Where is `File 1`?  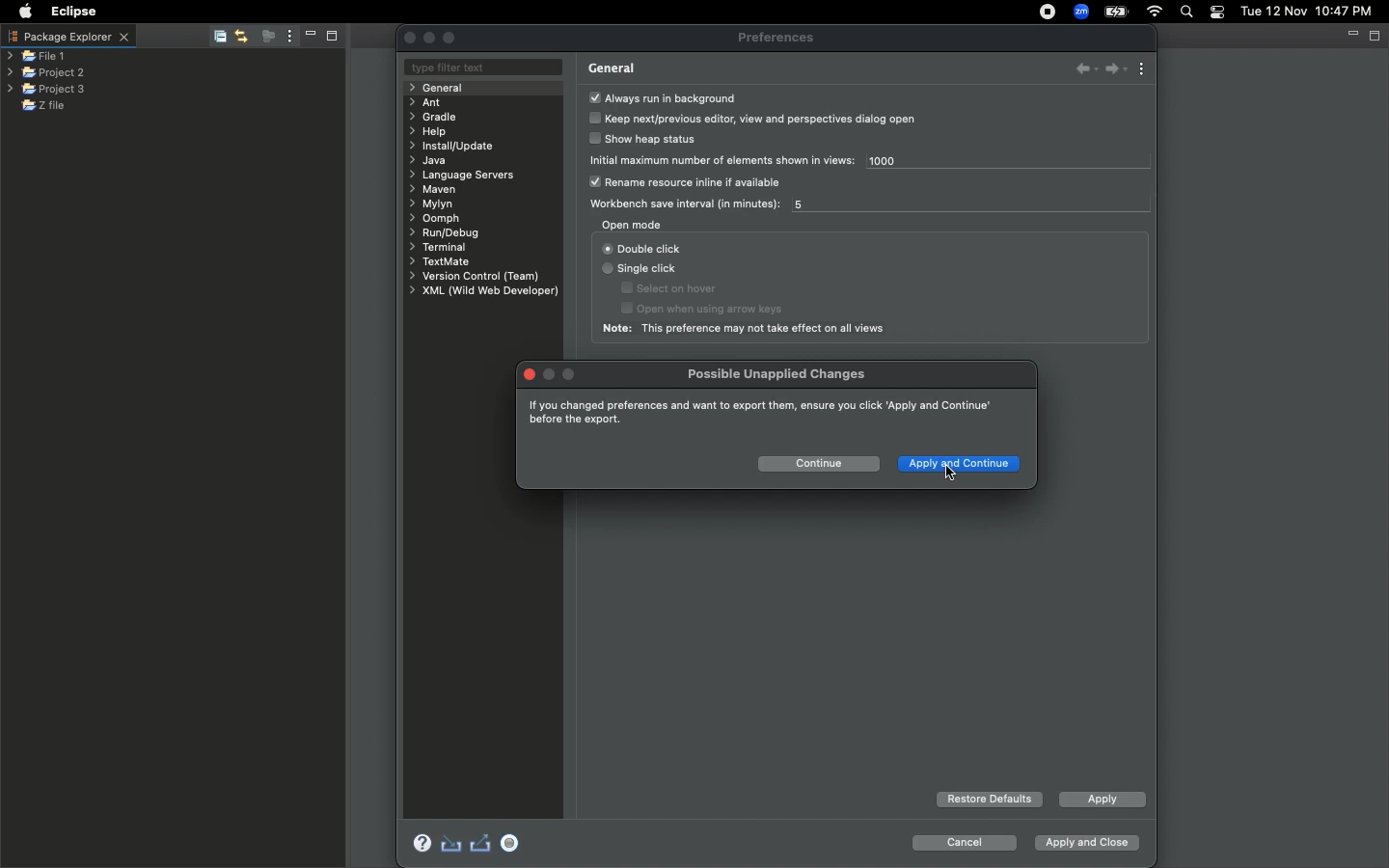 File 1 is located at coordinates (37, 58).